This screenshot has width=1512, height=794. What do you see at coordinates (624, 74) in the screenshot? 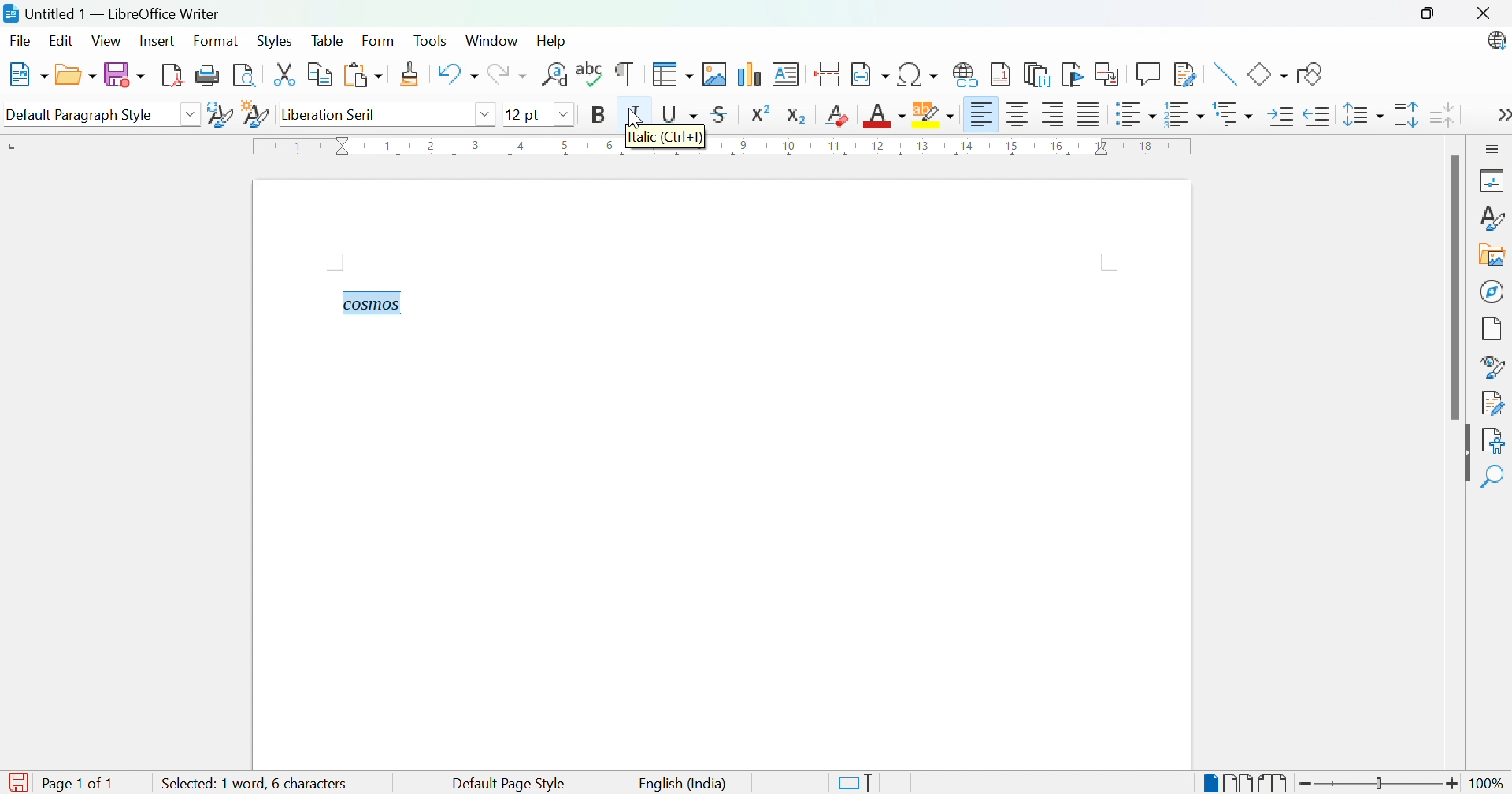
I see `Toggle formatting marks` at bounding box center [624, 74].